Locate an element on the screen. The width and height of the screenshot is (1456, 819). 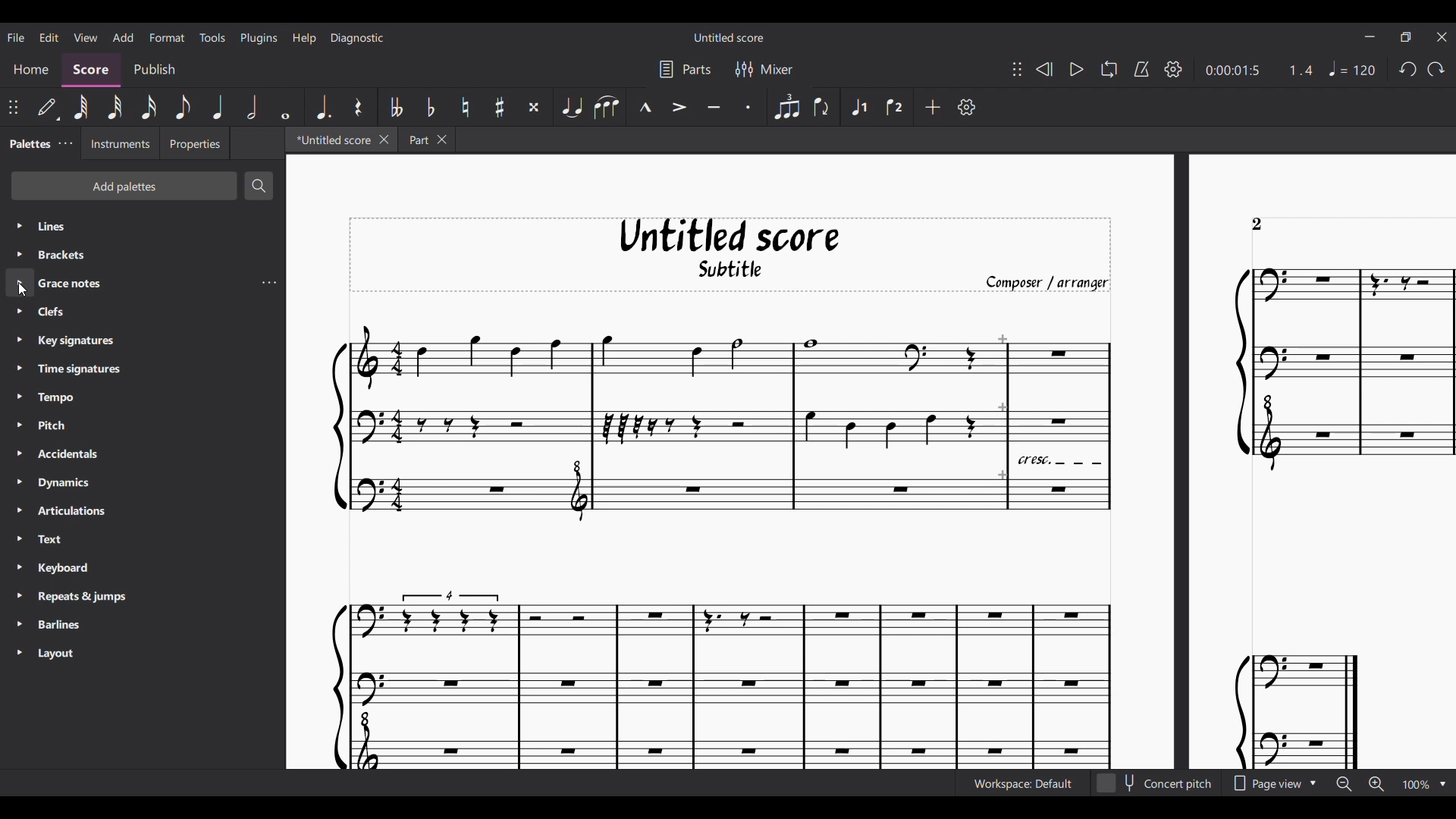
Search palette is located at coordinates (259, 186).